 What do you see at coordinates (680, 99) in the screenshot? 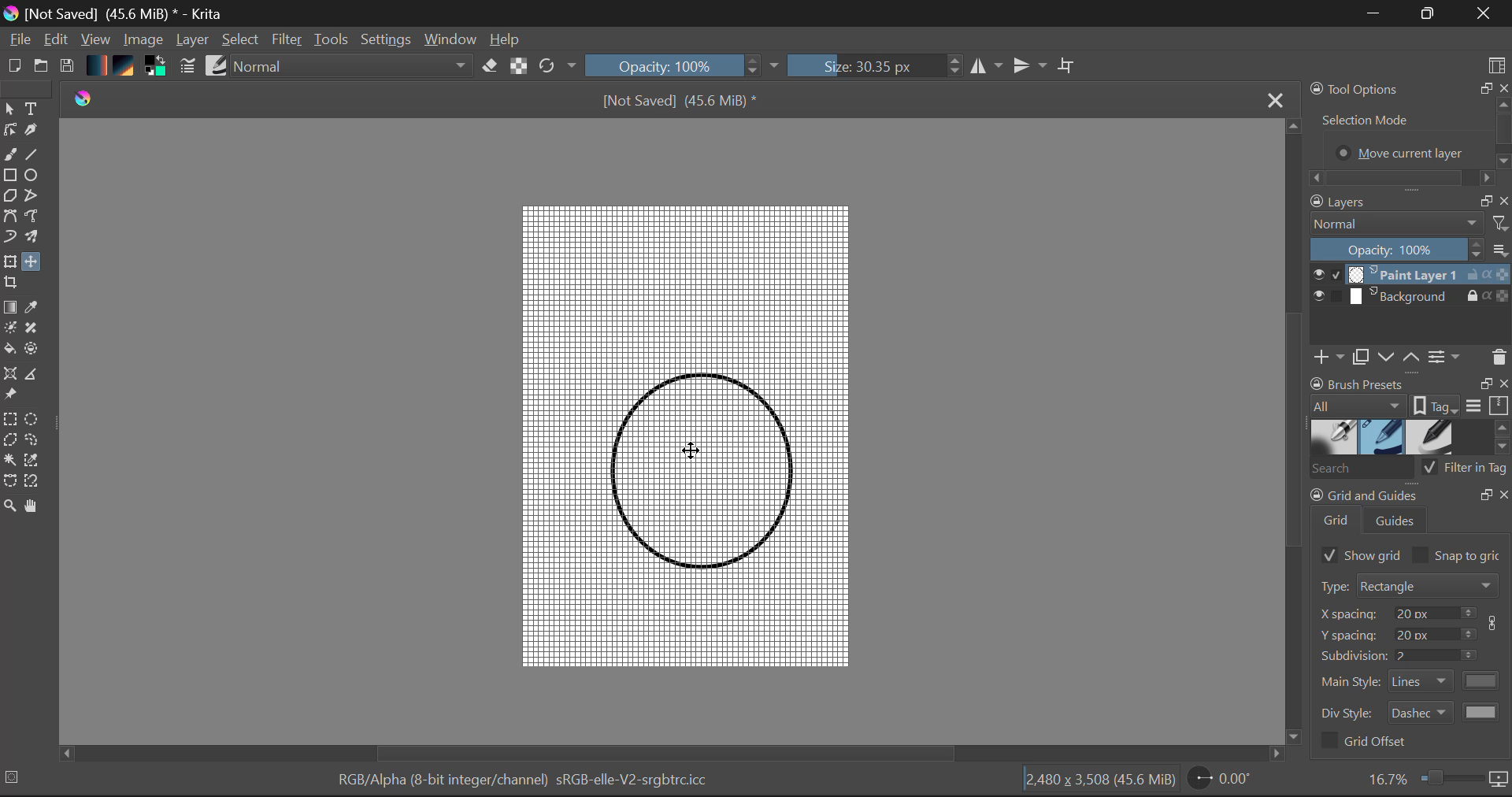
I see `File Name & Size` at bounding box center [680, 99].